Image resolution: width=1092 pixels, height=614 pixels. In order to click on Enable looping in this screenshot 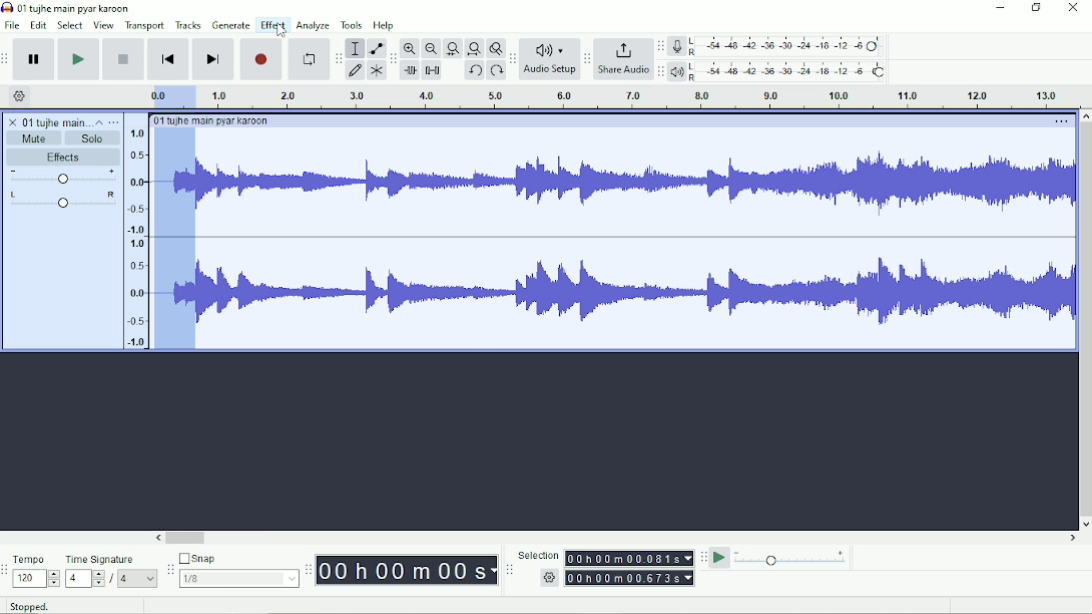, I will do `click(307, 60)`.